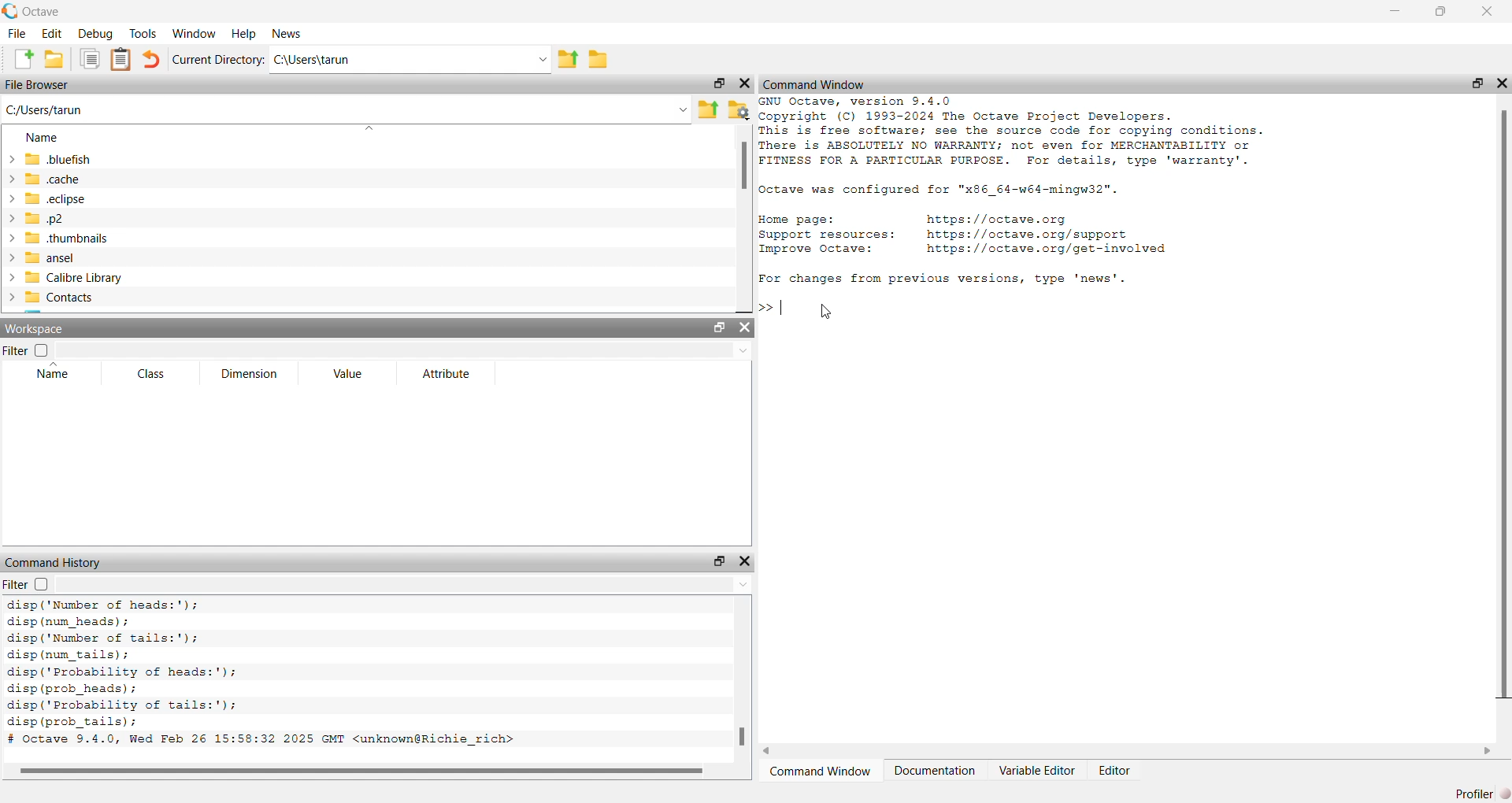 The width and height of the screenshot is (1512, 803). What do you see at coordinates (96, 33) in the screenshot?
I see `Debug` at bounding box center [96, 33].